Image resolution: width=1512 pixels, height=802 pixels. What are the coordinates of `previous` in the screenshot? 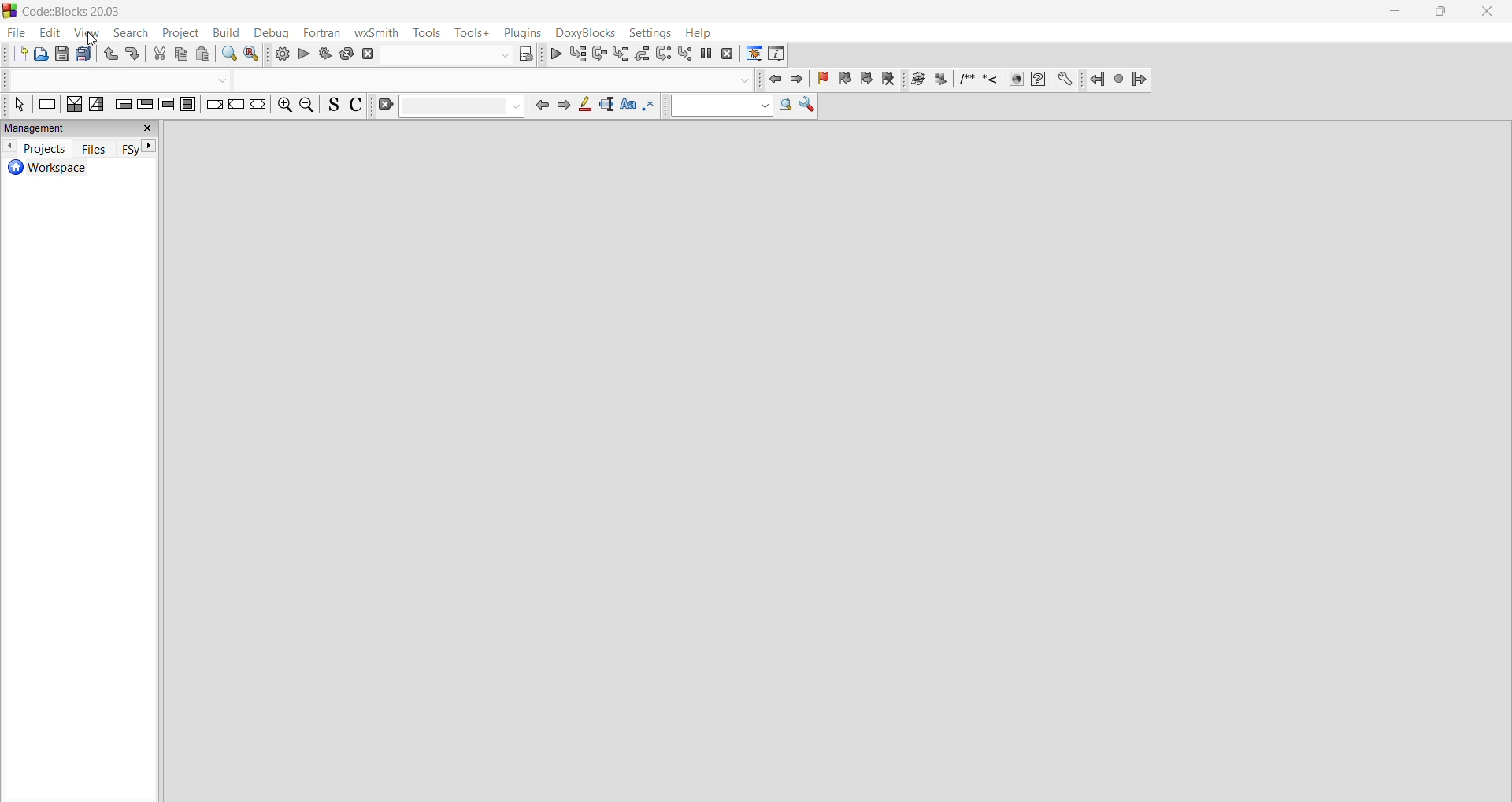 It's located at (539, 108).